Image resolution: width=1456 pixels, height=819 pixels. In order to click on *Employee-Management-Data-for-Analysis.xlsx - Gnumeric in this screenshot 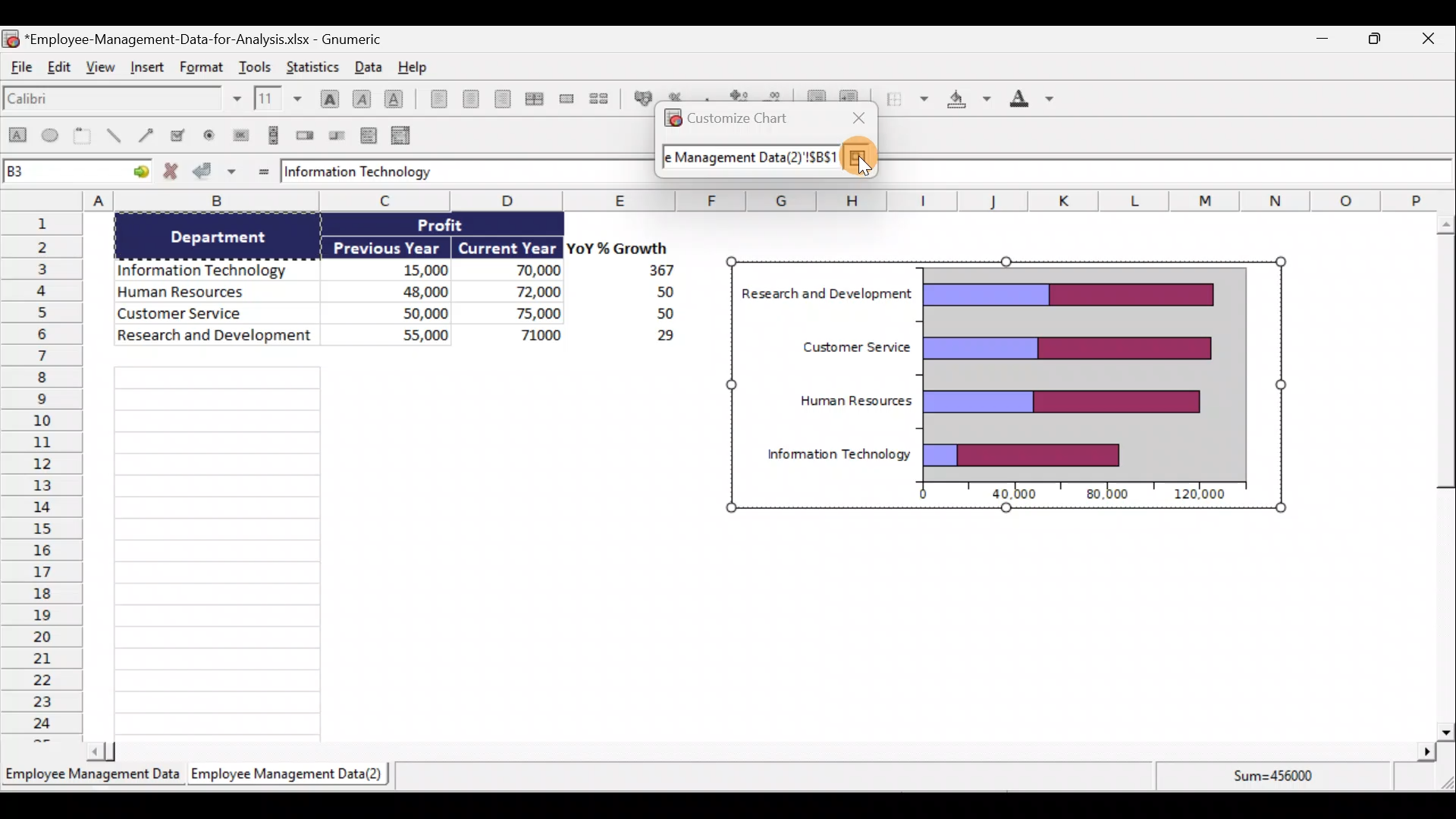, I will do `click(214, 39)`.